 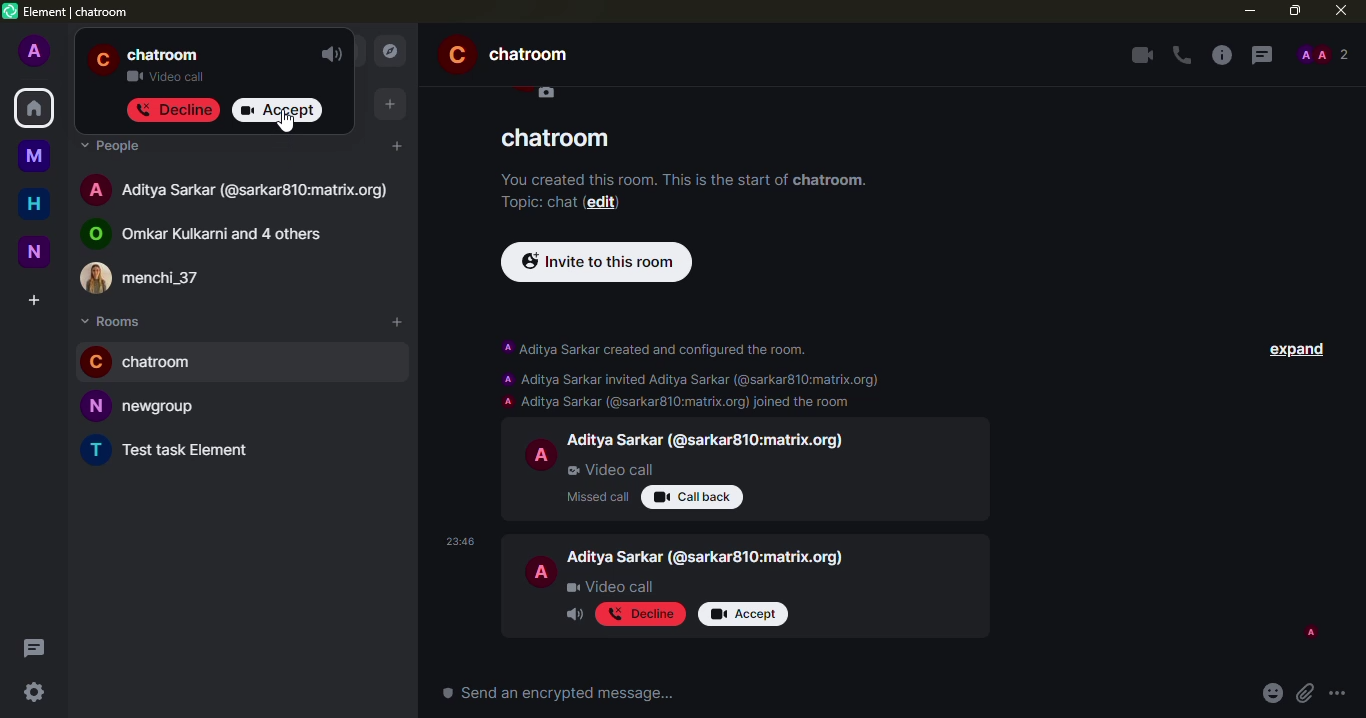 What do you see at coordinates (1138, 55) in the screenshot?
I see `video call` at bounding box center [1138, 55].